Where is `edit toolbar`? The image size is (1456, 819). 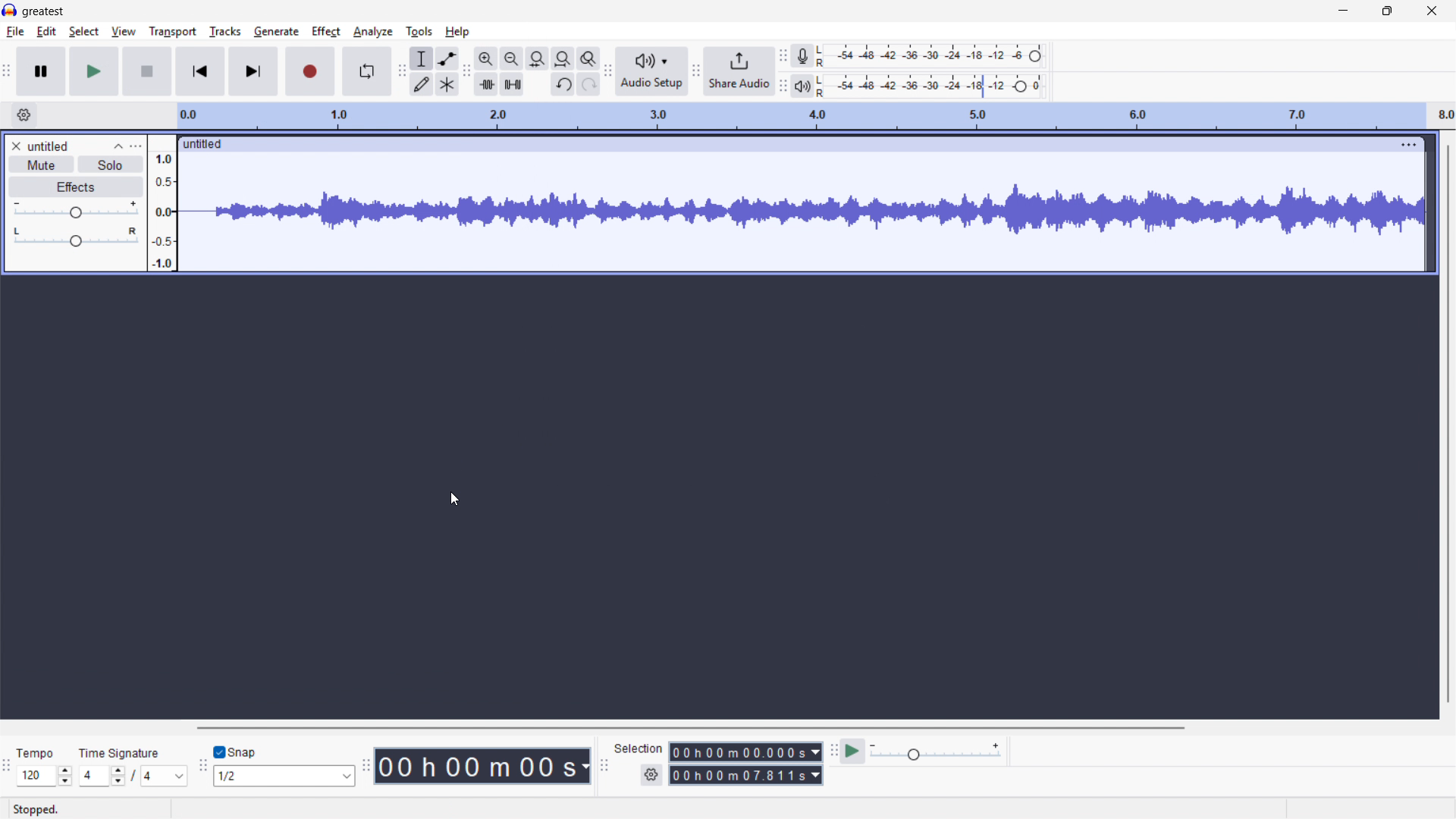
edit toolbar is located at coordinates (466, 72).